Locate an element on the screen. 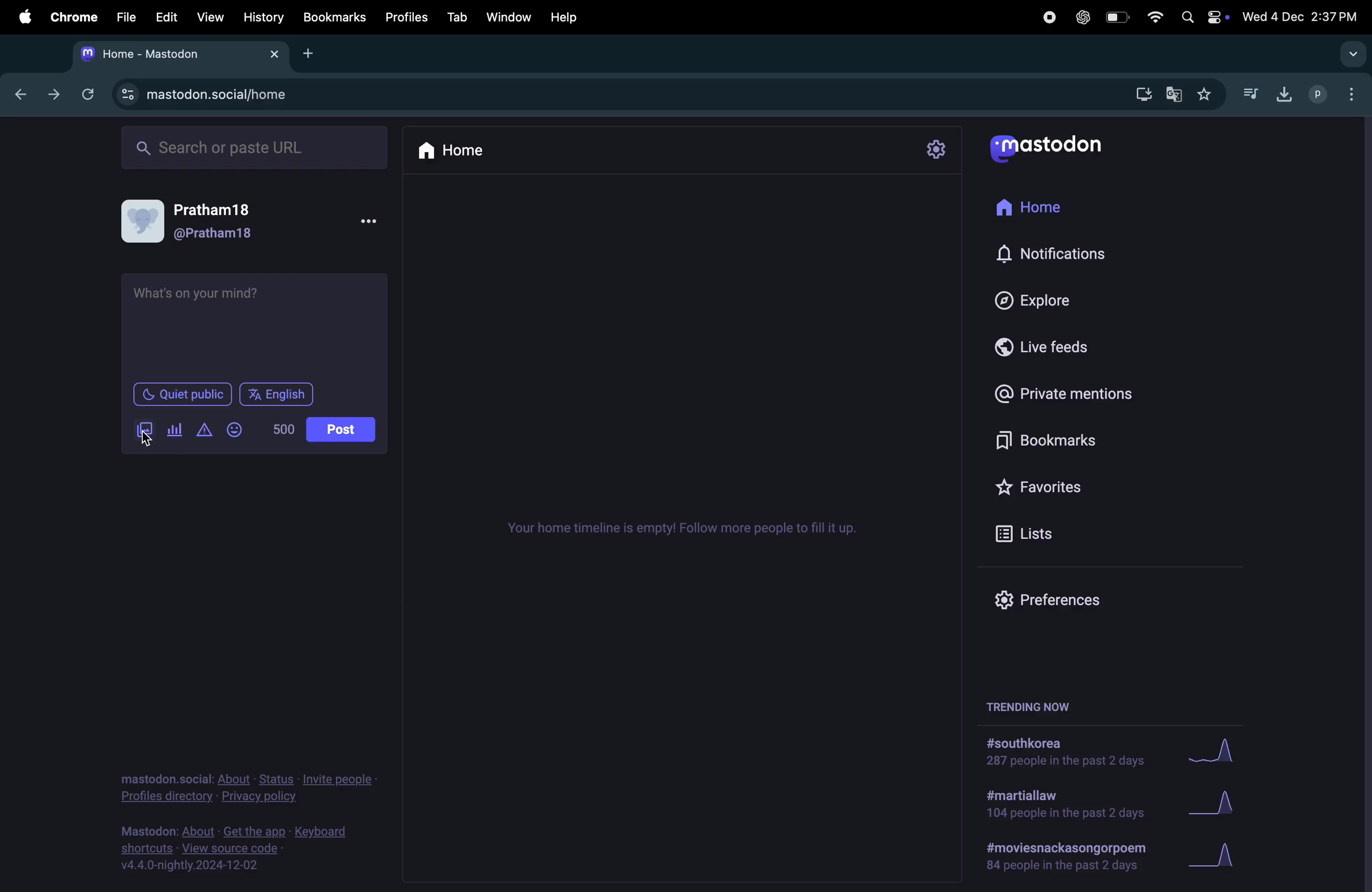  mastodon url is located at coordinates (208, 95).